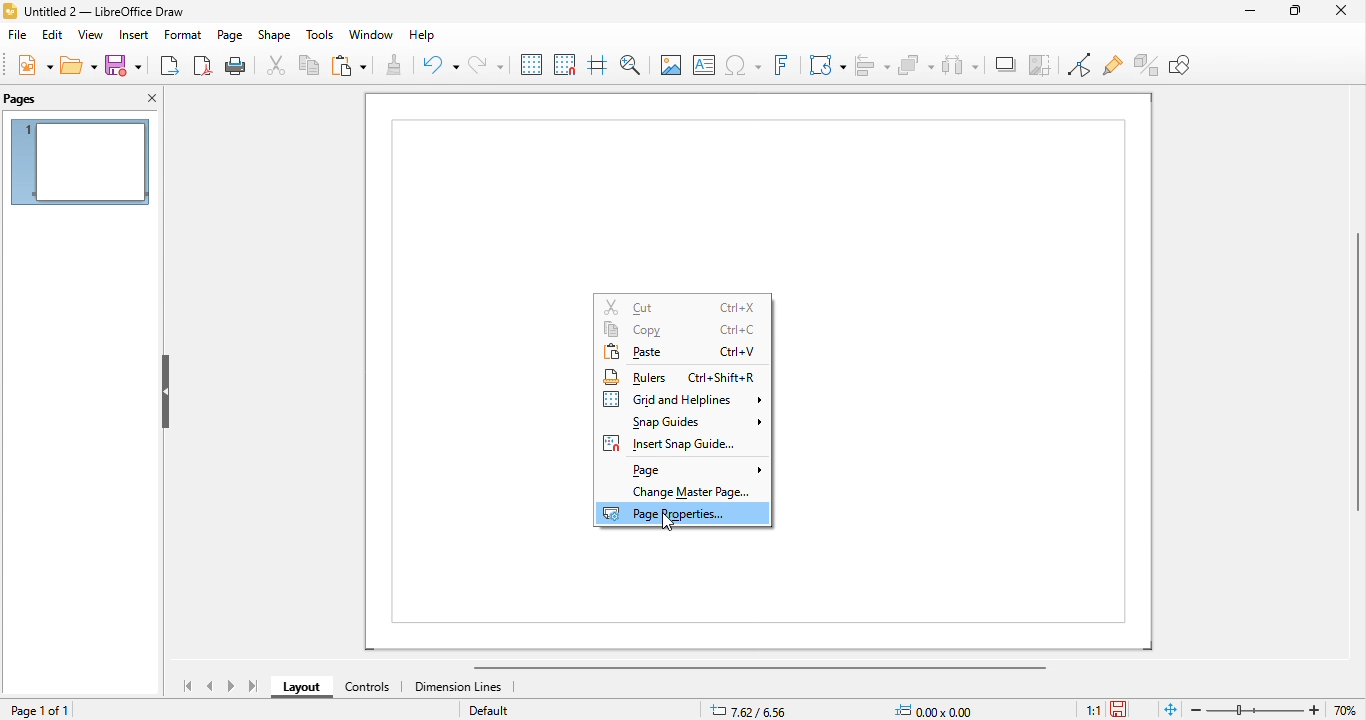 This screenshot has height=720, width=1366. Describe the element at coordinates (53, 35) in the screenshot. I see `edit` at that location.